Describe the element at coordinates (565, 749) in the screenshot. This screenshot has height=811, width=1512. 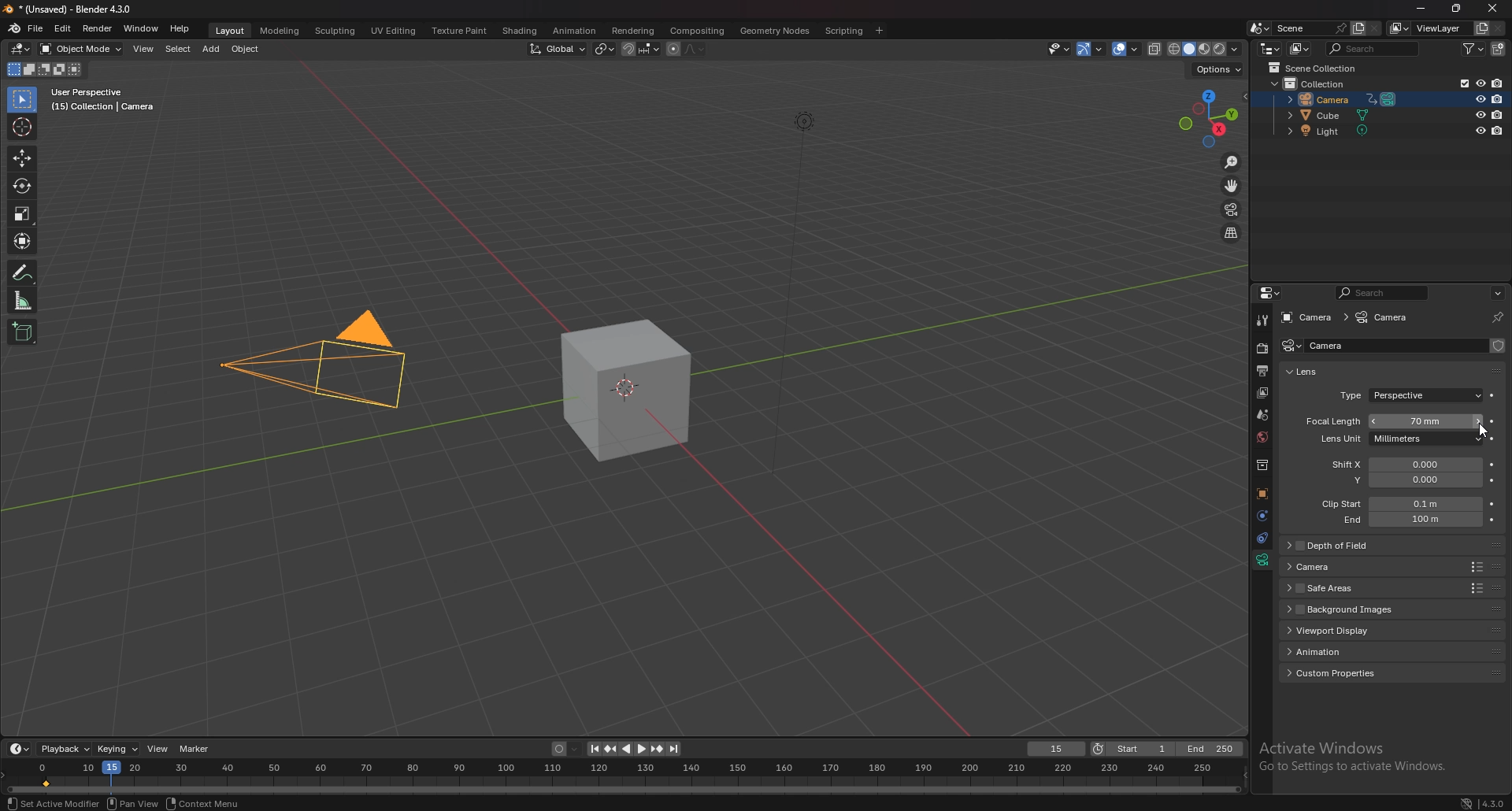
I see `auto keying` at that location.